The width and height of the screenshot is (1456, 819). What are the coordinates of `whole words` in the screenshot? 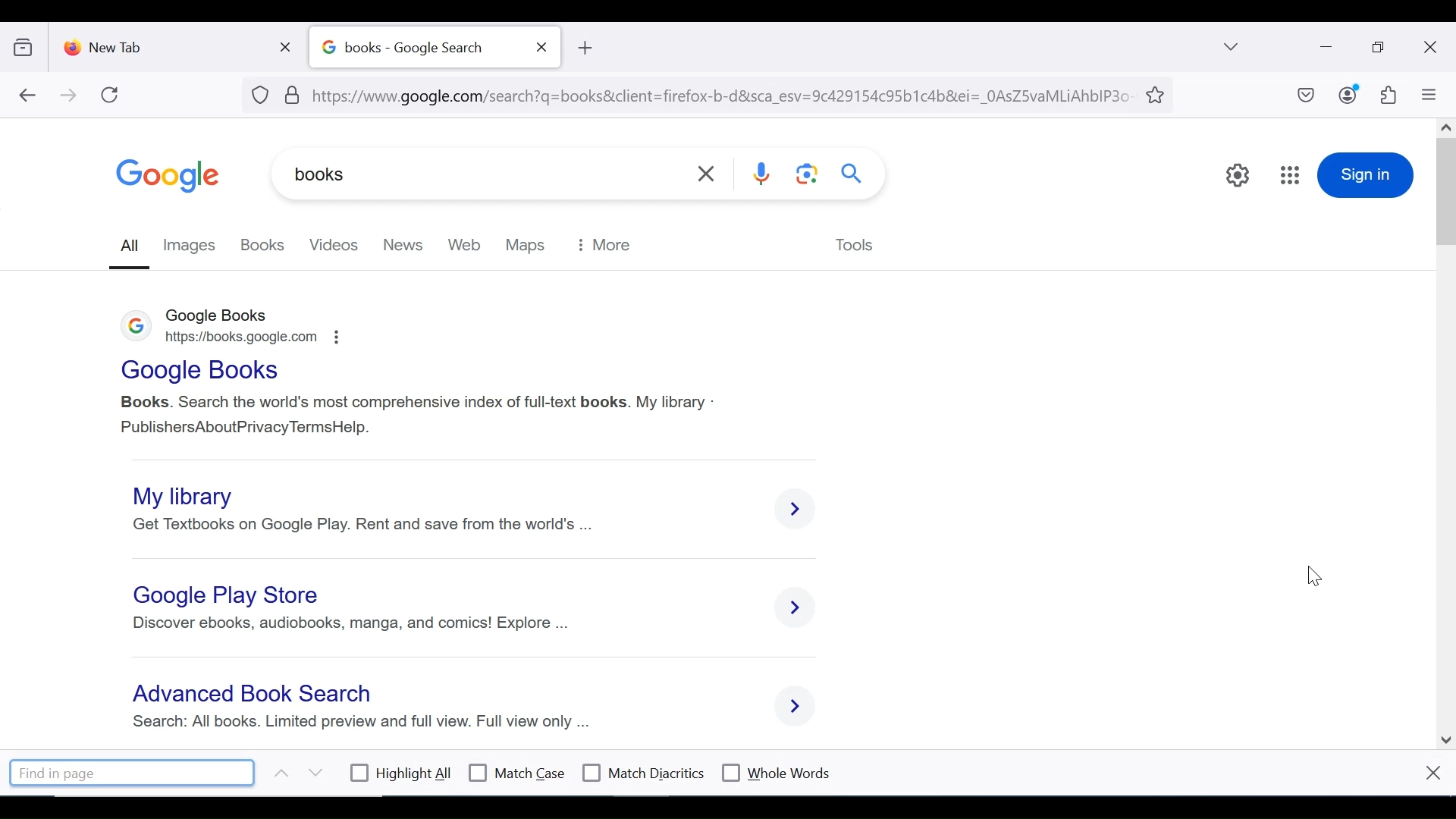 It's located at (775, 771).